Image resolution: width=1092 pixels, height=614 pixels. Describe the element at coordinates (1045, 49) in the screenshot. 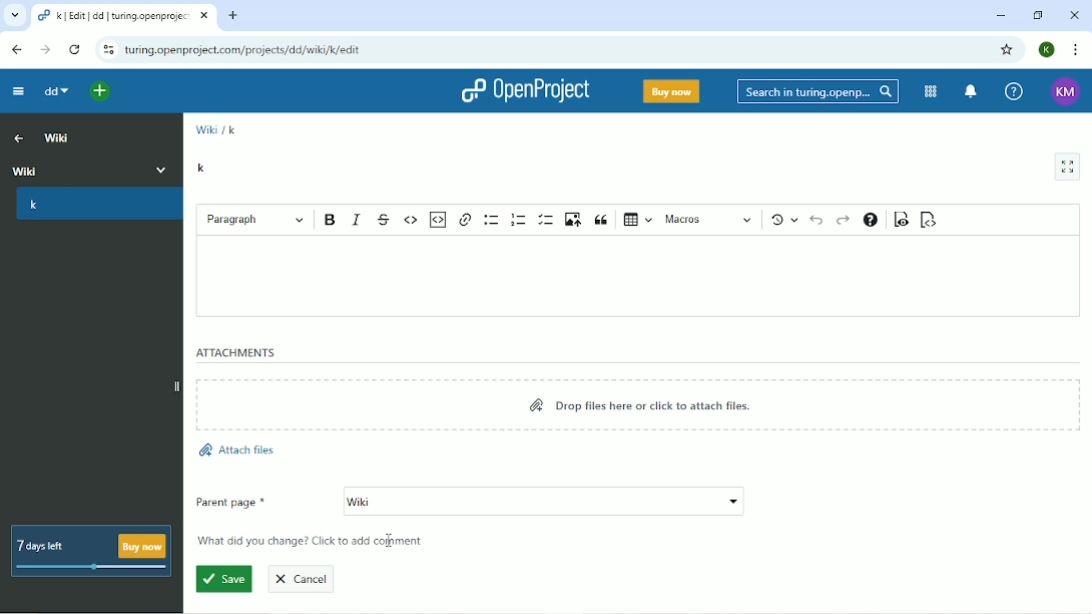

I see `Account` at that location.